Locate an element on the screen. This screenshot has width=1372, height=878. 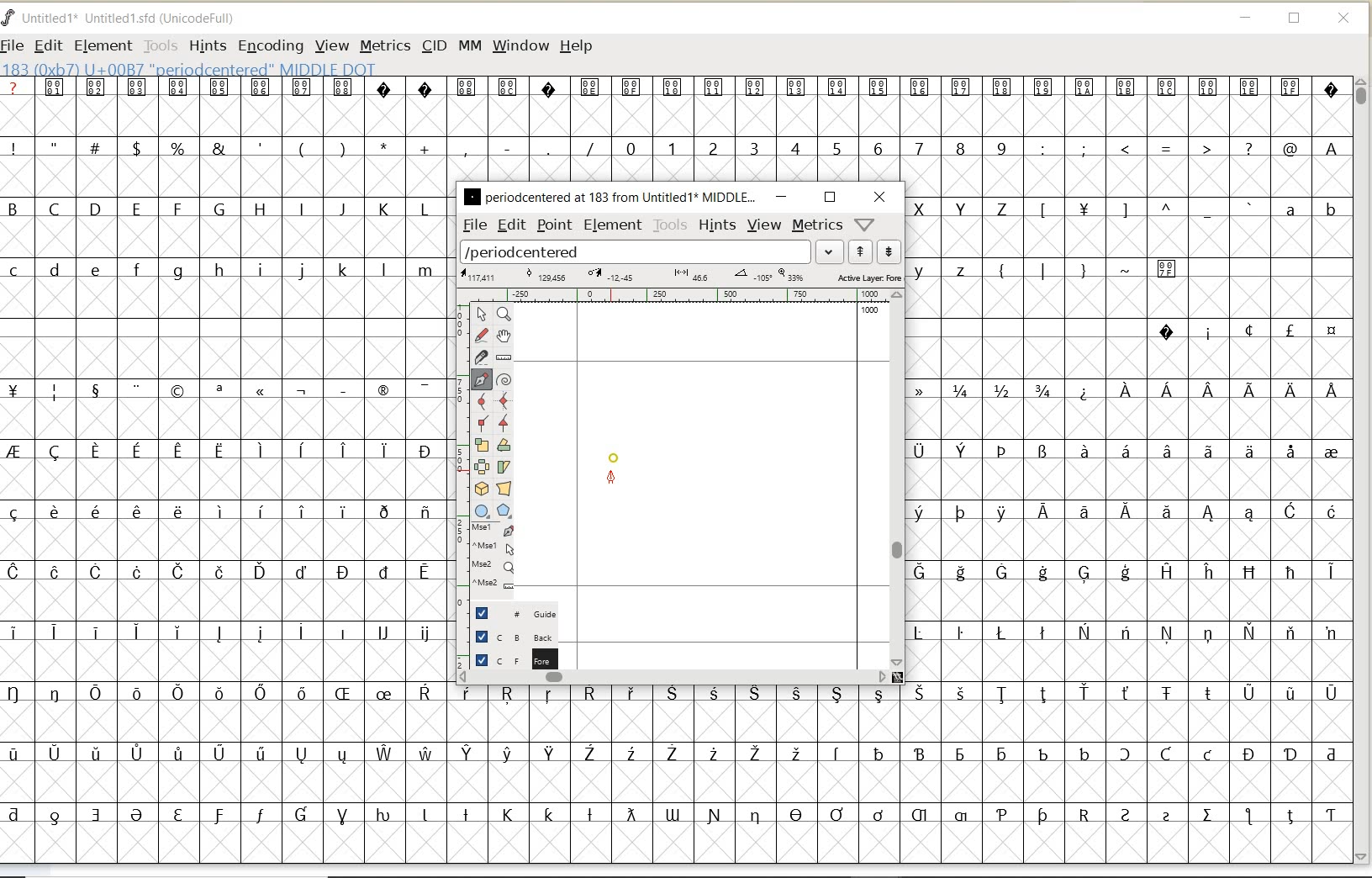
foreground is located at coordinates (510, 658).